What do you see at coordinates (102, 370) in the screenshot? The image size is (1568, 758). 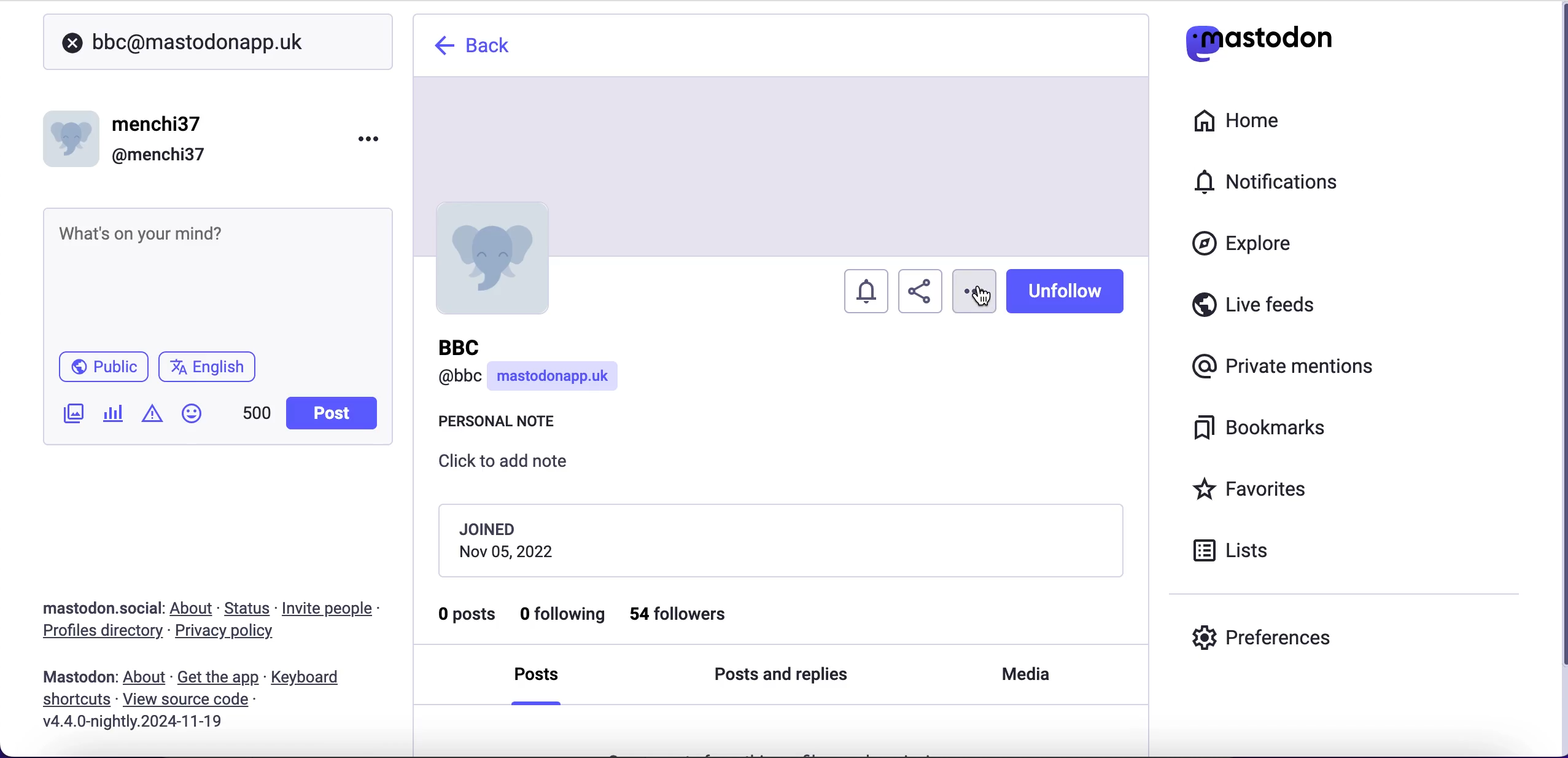 I see `public` at bounding box center [102, 370].